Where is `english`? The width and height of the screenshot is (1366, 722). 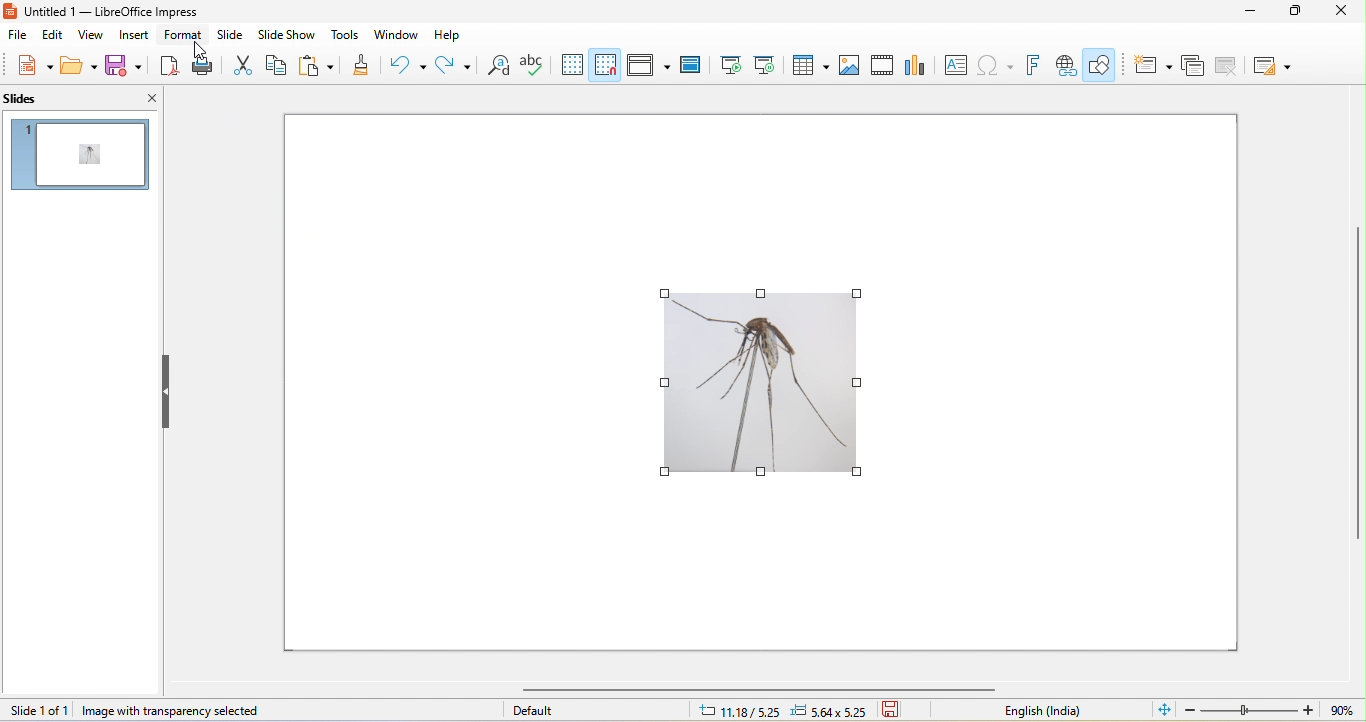
english is located at coordinates (1058, 712).